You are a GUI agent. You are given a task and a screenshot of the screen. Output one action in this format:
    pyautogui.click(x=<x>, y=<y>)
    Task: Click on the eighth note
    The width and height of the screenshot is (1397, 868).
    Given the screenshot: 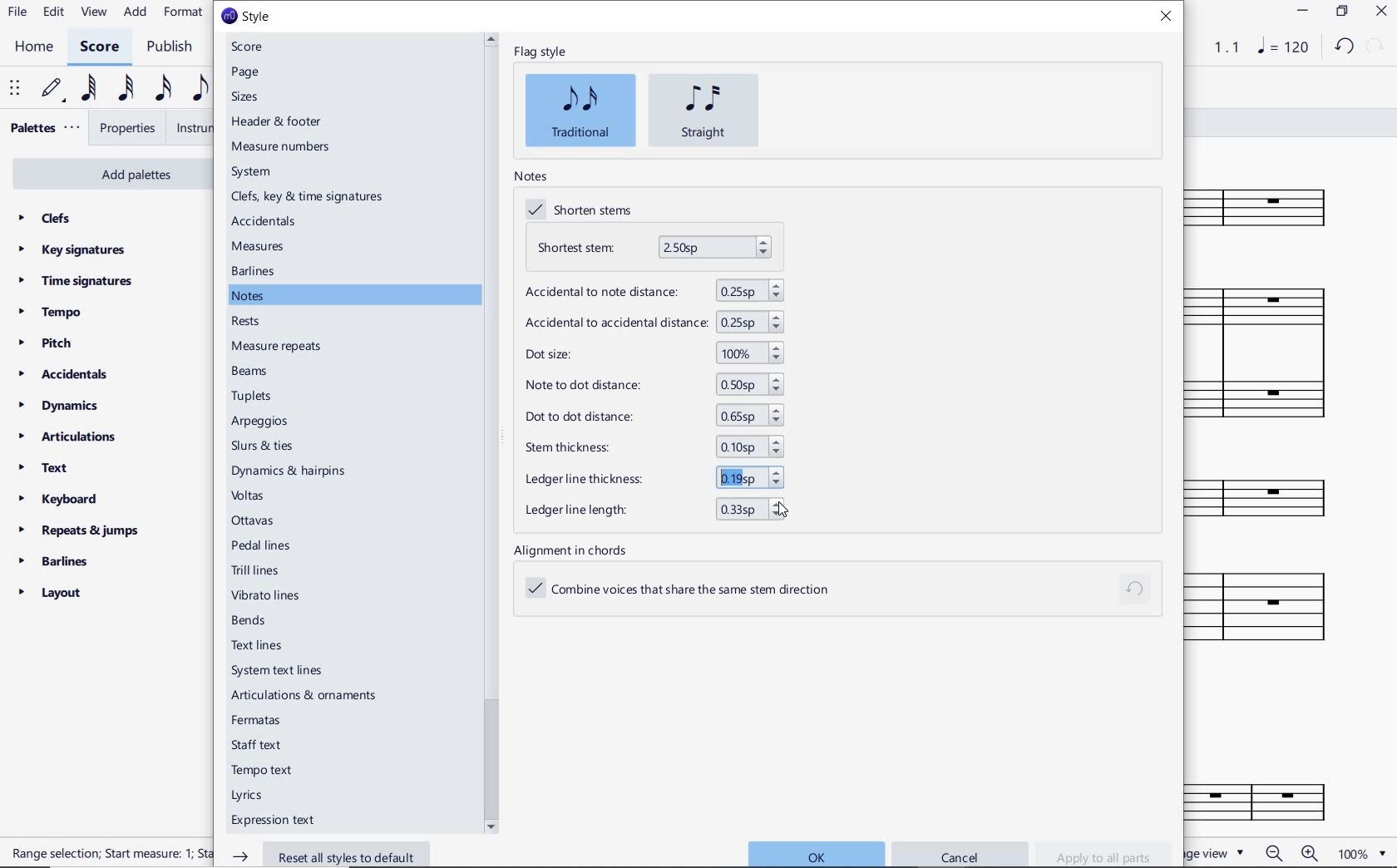 What is the action you would take?
    pyautogui.click(x=200, y=89)
    